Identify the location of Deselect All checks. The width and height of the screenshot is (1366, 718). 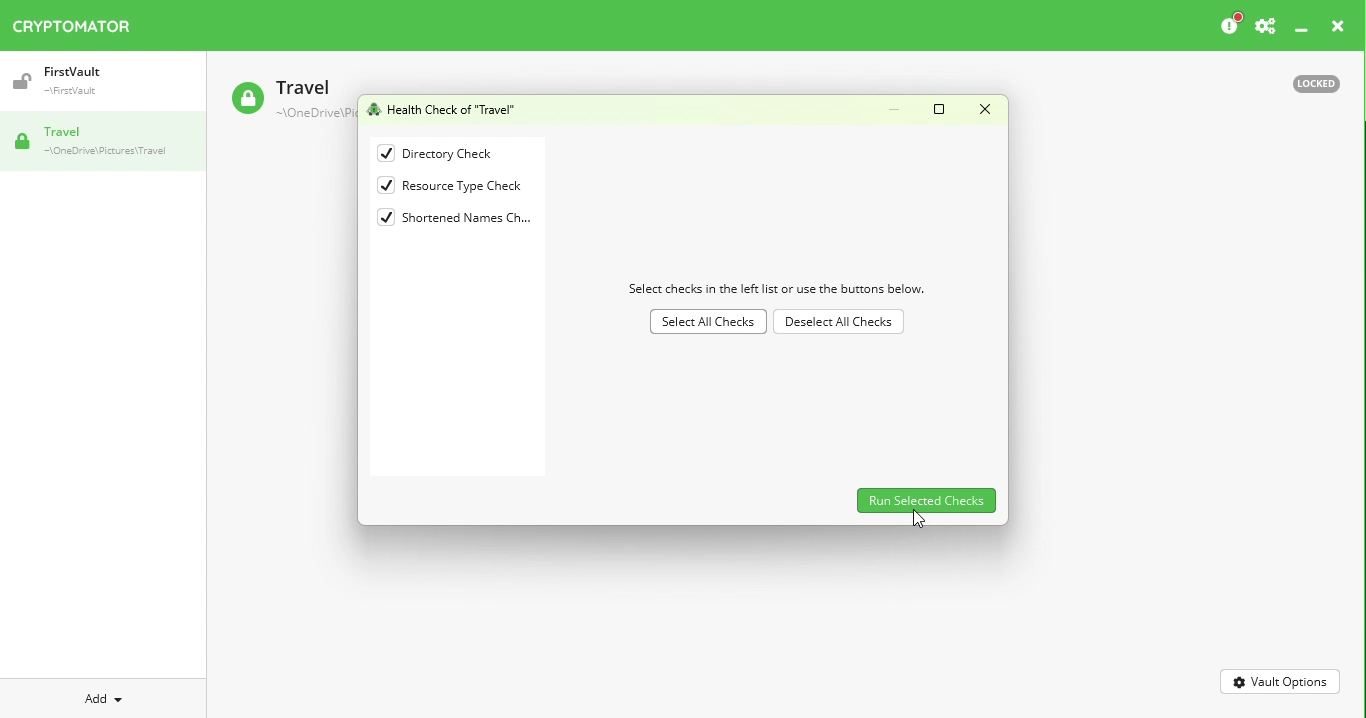
(838, 322).